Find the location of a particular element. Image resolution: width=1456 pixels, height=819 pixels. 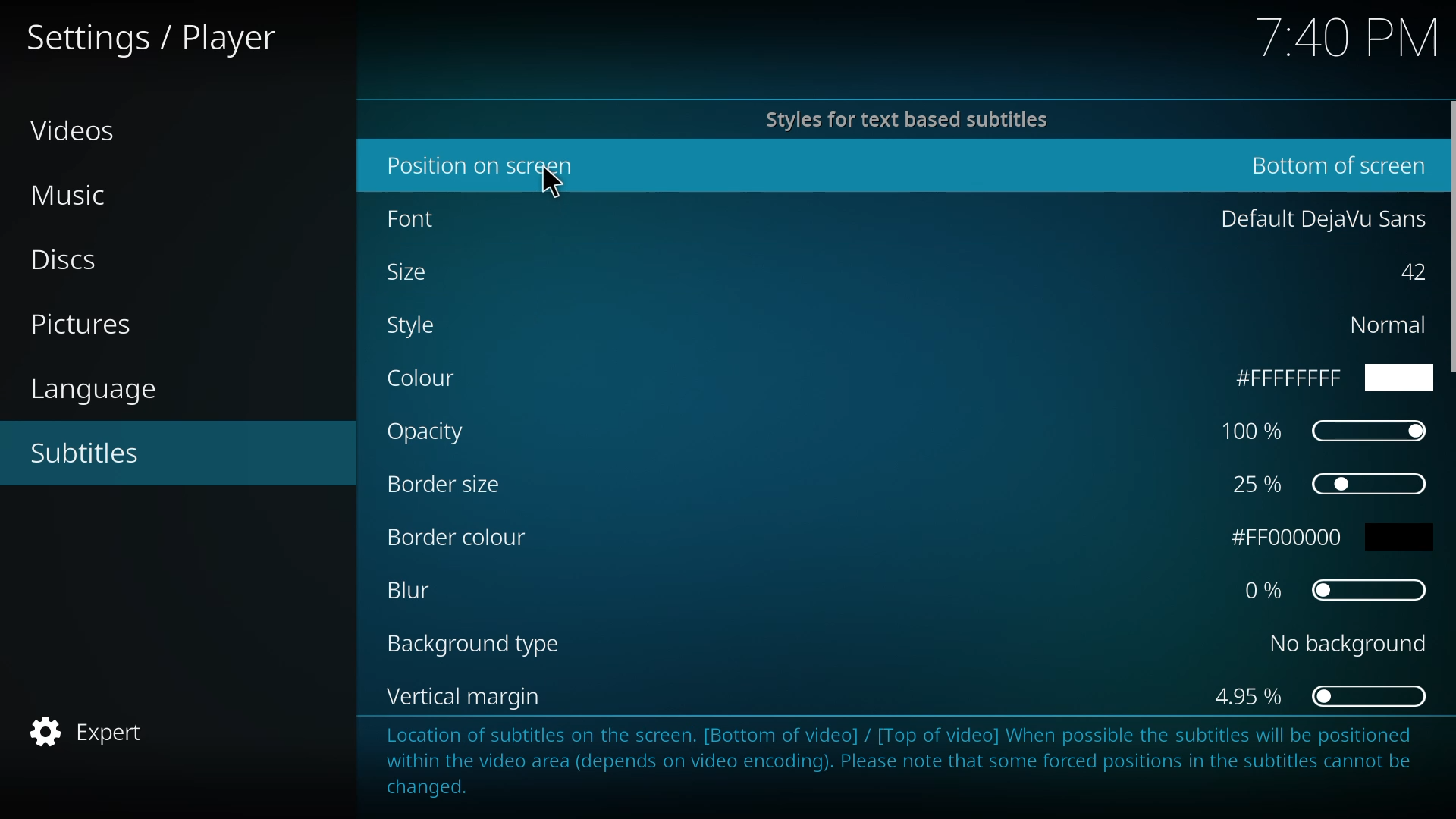

discs is located at coordinates (66, 262).